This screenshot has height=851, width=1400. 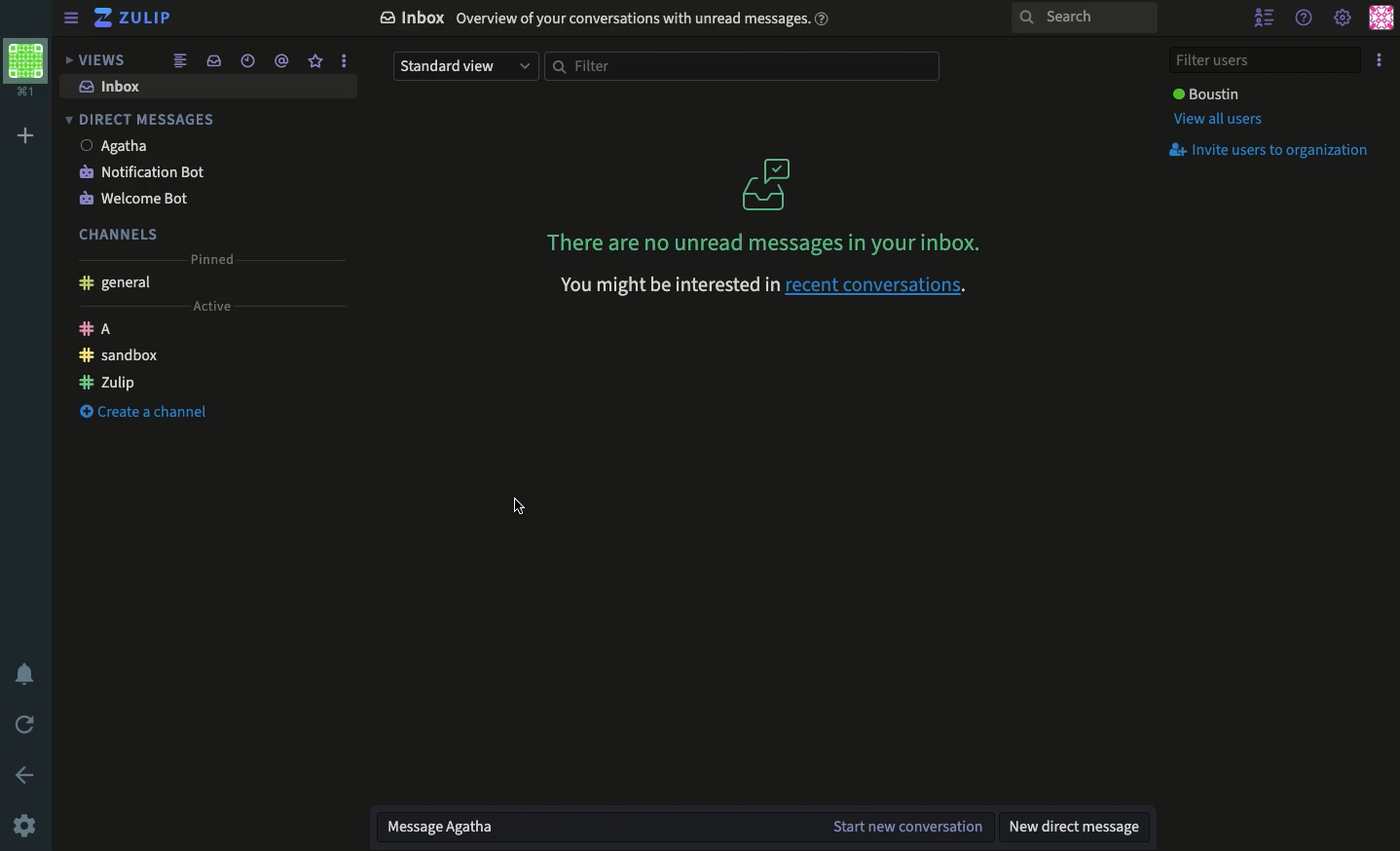 I want to click on View profile, so click(x=25, y=67).